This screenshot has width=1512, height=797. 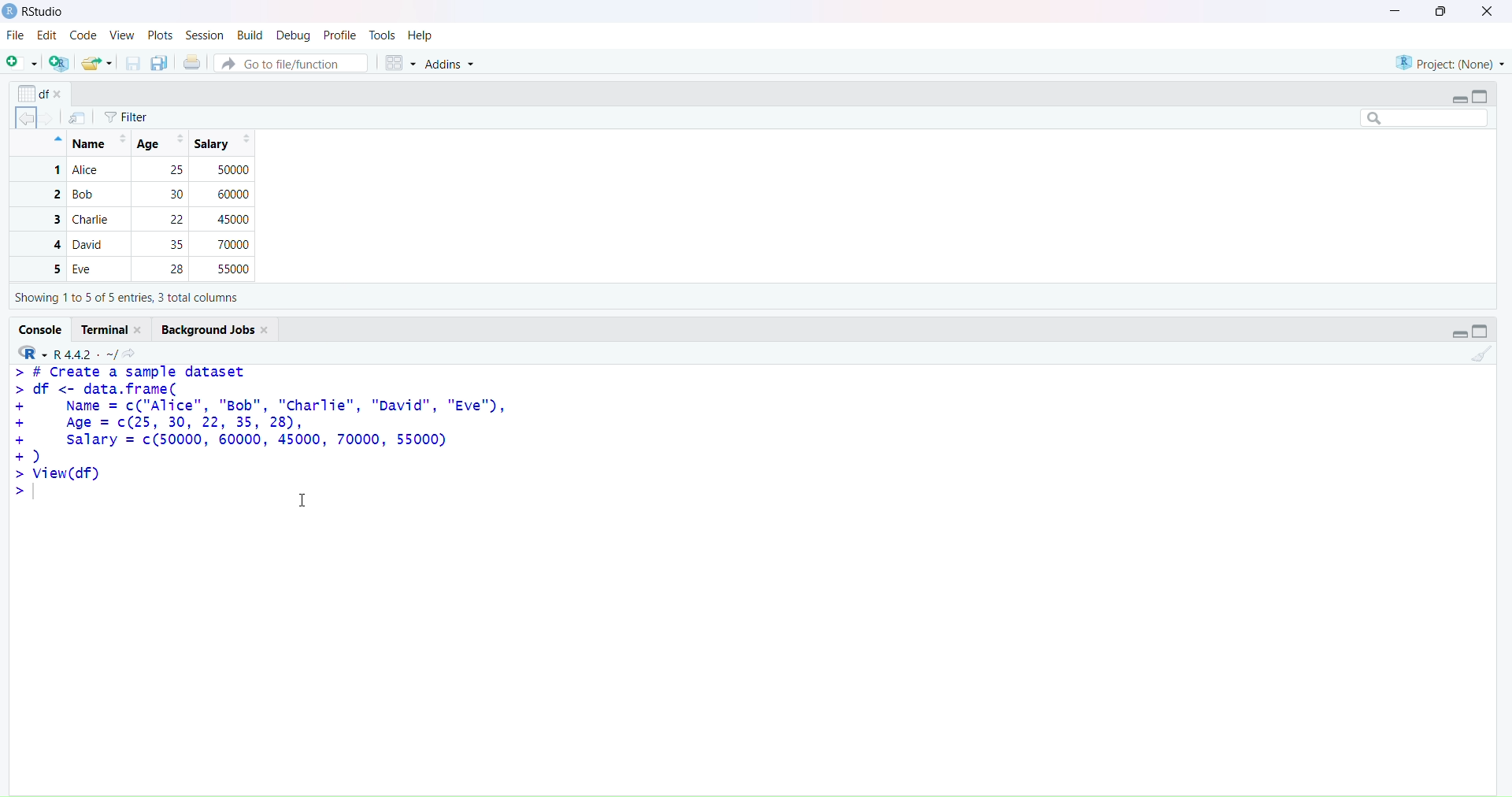 I want to click on expand, so click(x=1452, y=98).